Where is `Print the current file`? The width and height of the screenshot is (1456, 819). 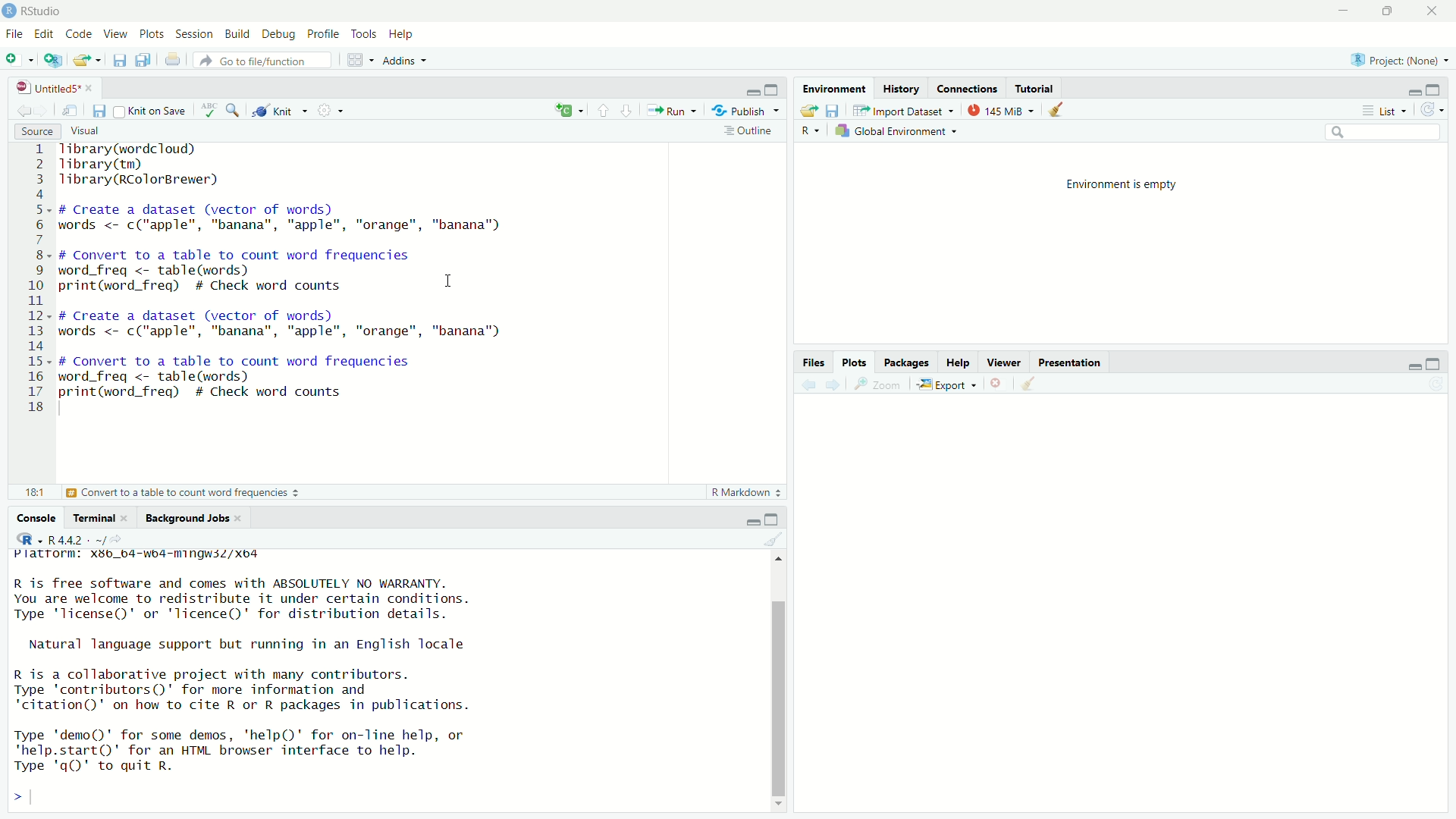
Print the current file is located at coordinates (171, 59).